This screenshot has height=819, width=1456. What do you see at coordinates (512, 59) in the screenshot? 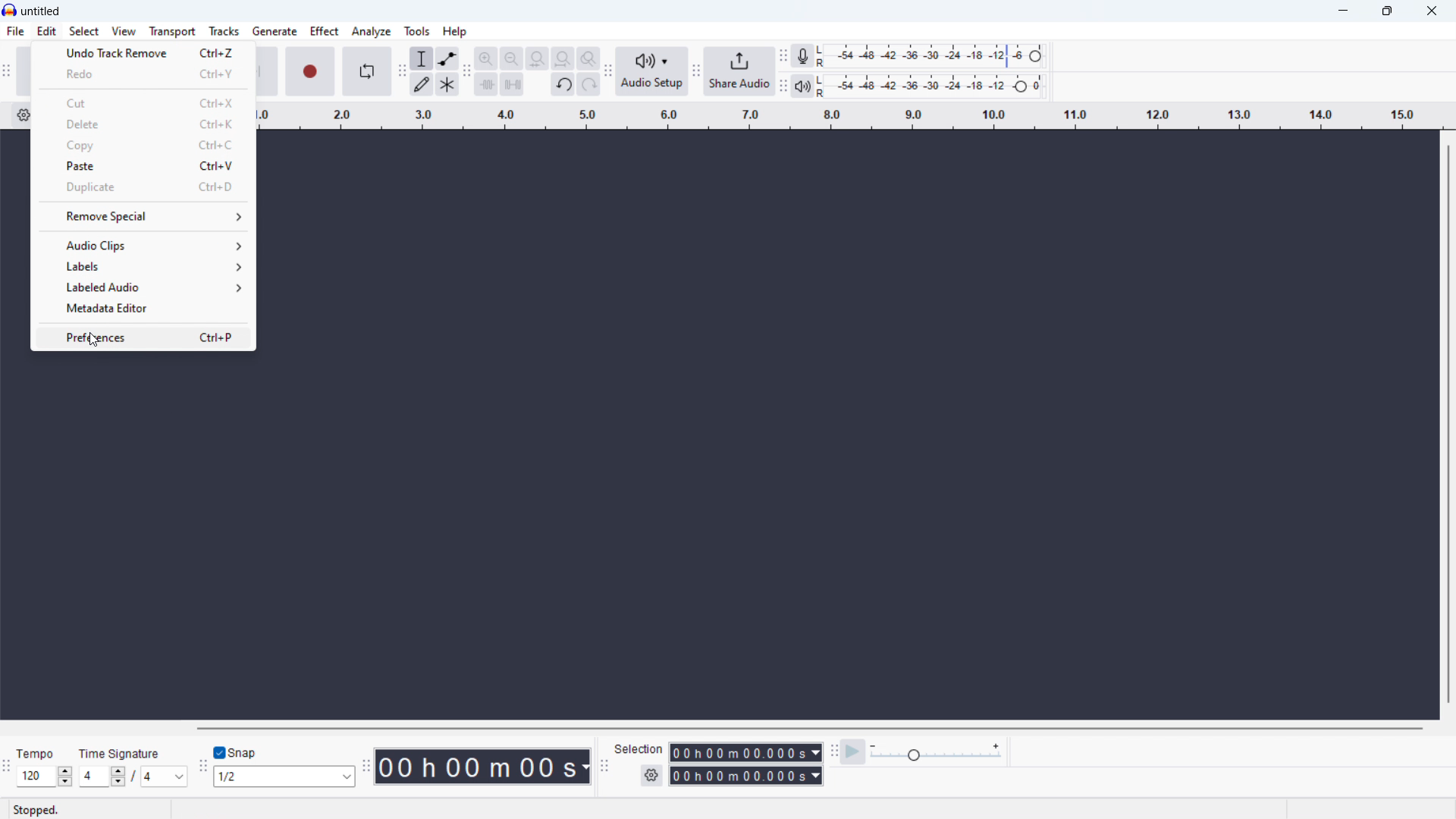
I see `zoom out` at bounding box center [512, 59].